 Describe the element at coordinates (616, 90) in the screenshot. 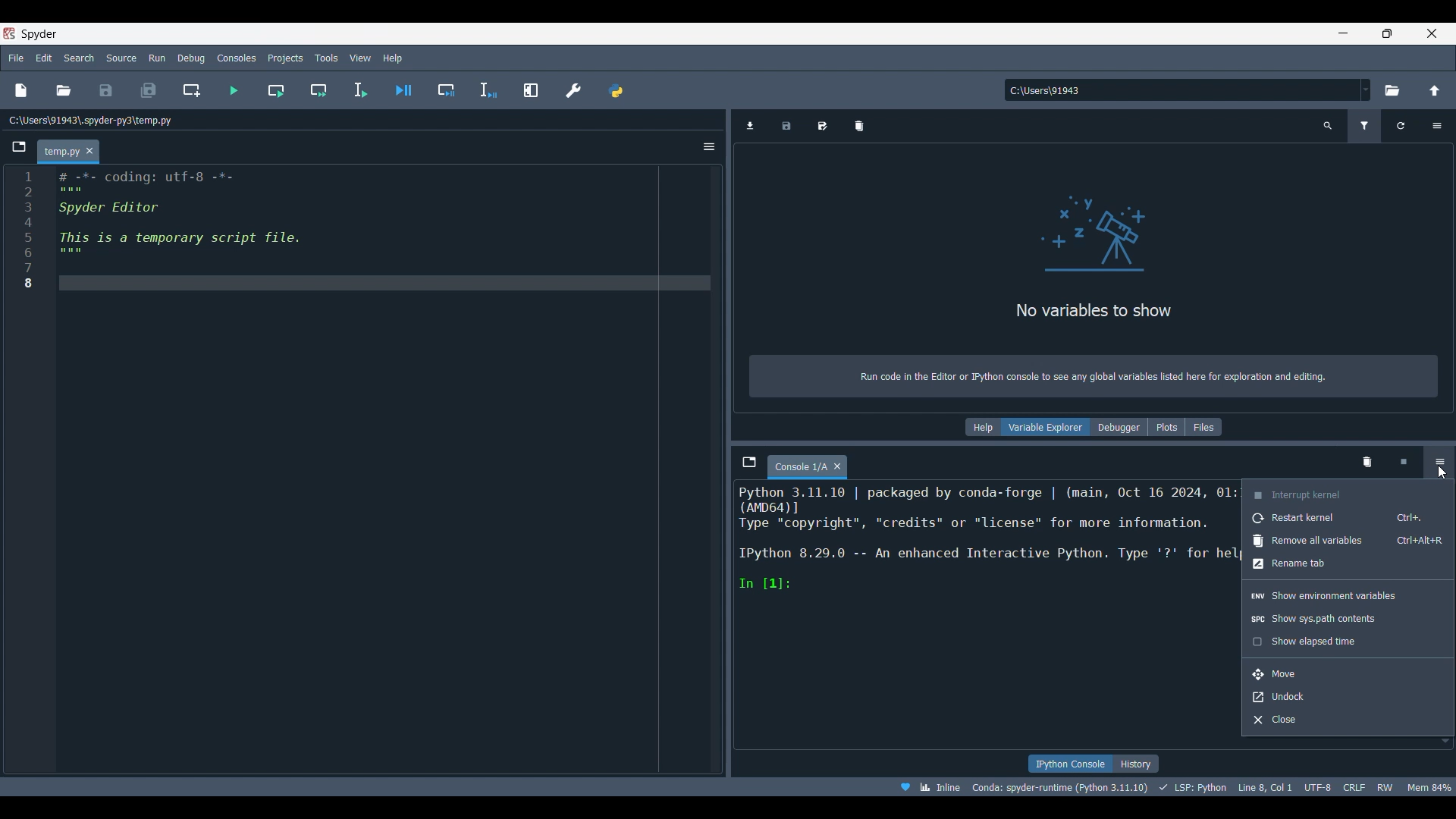

I see `PYTHONPATH manager` at that location.